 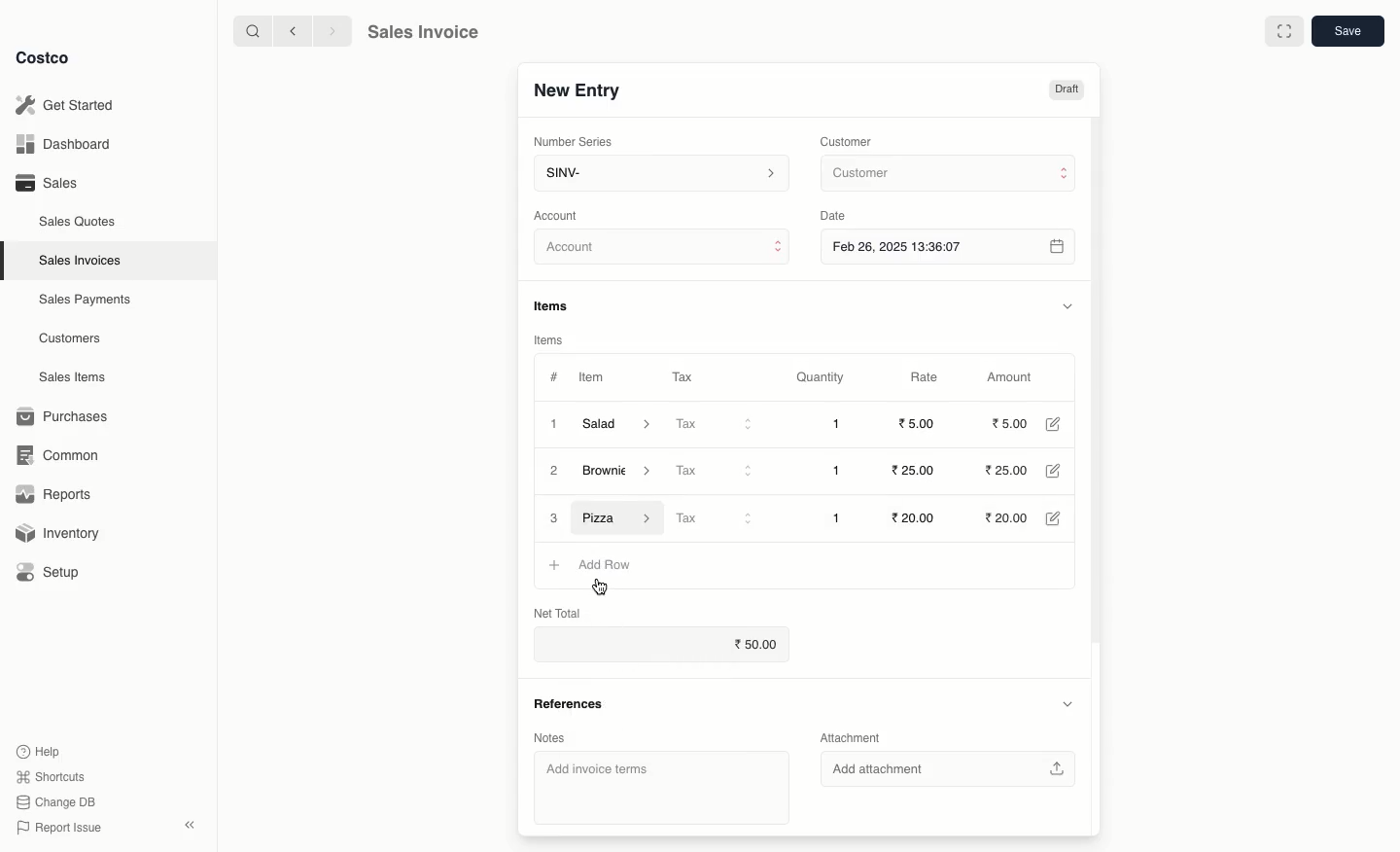 I want to click on Save, so click(x=1350, y=33).